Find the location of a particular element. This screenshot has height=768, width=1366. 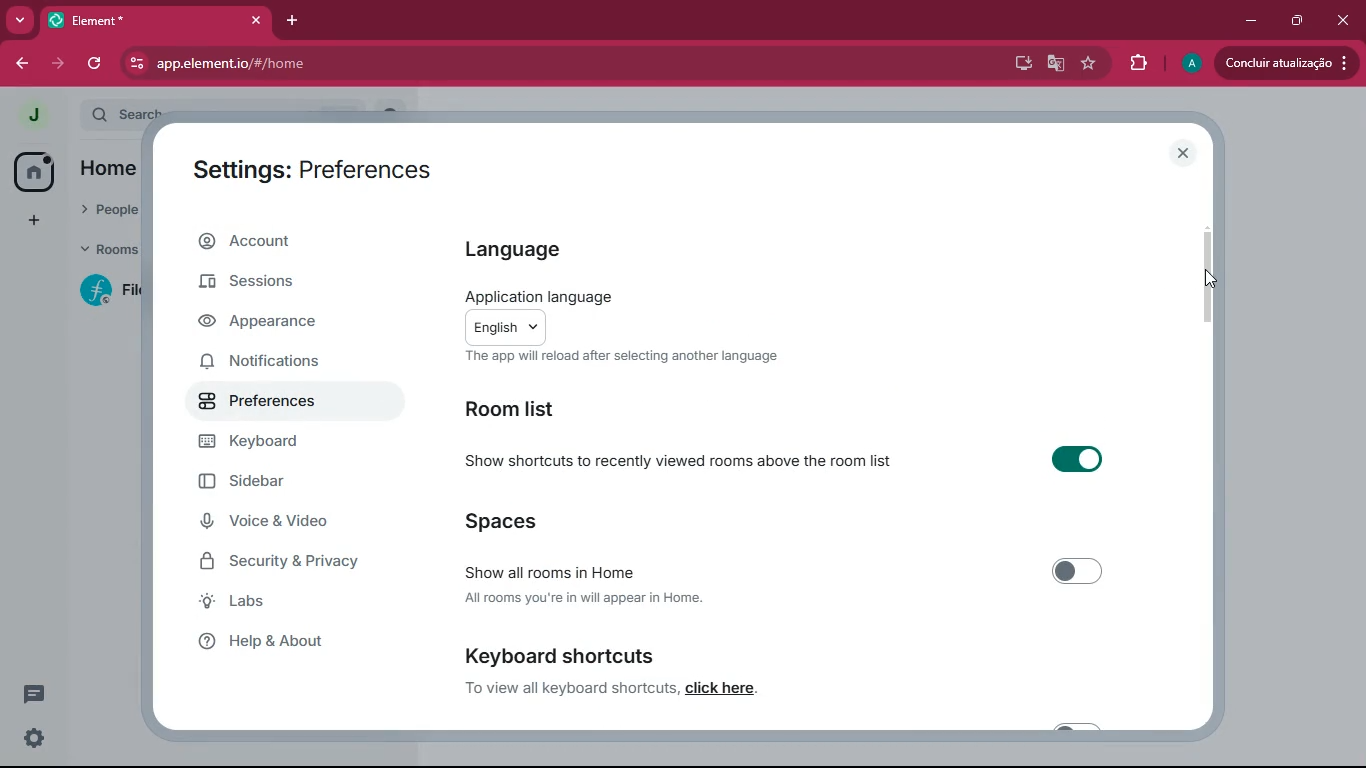

desktop is located at coordinates (1016, 64).